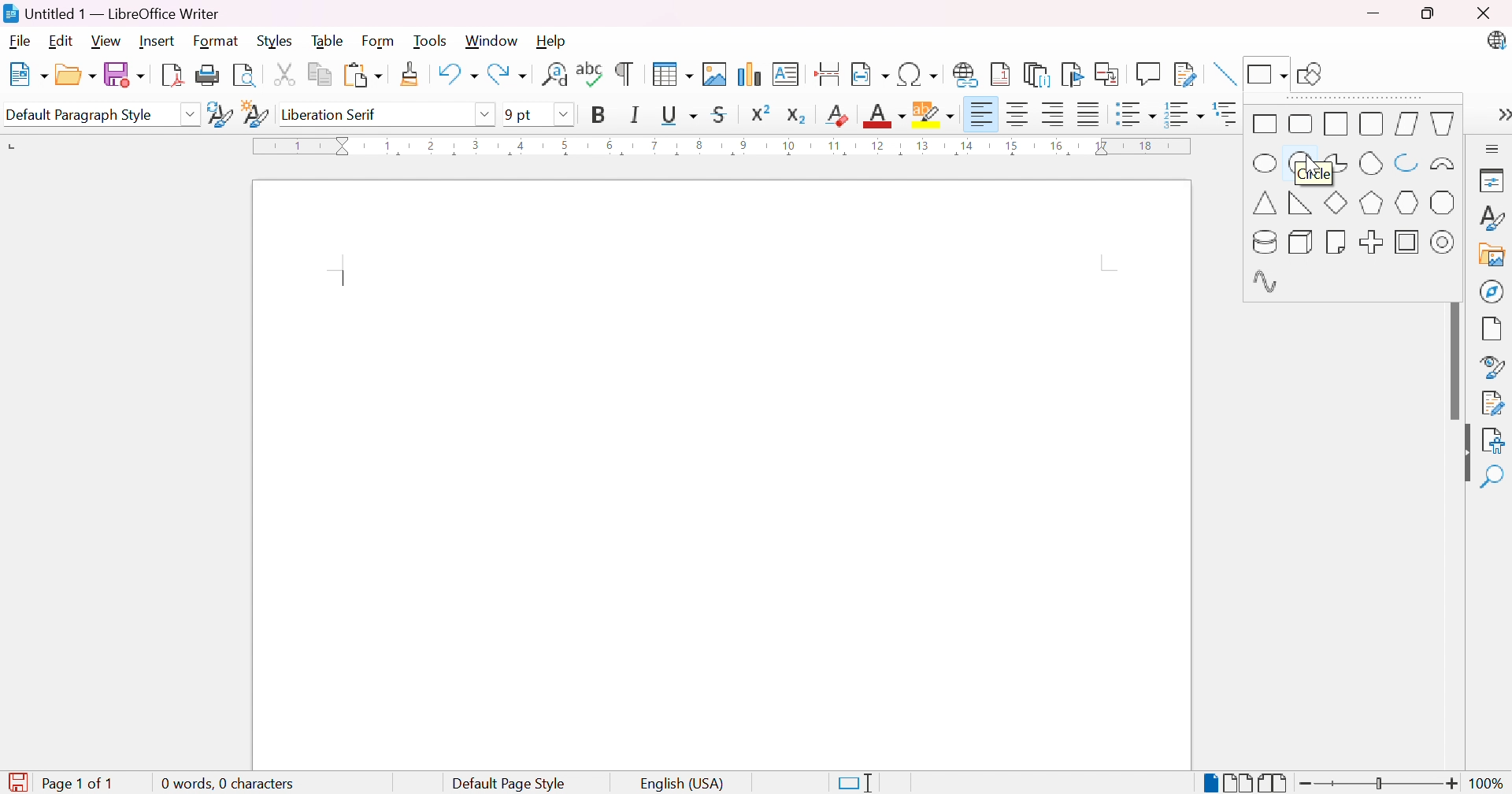  I want to click on Check spelling, so click(591, 72).